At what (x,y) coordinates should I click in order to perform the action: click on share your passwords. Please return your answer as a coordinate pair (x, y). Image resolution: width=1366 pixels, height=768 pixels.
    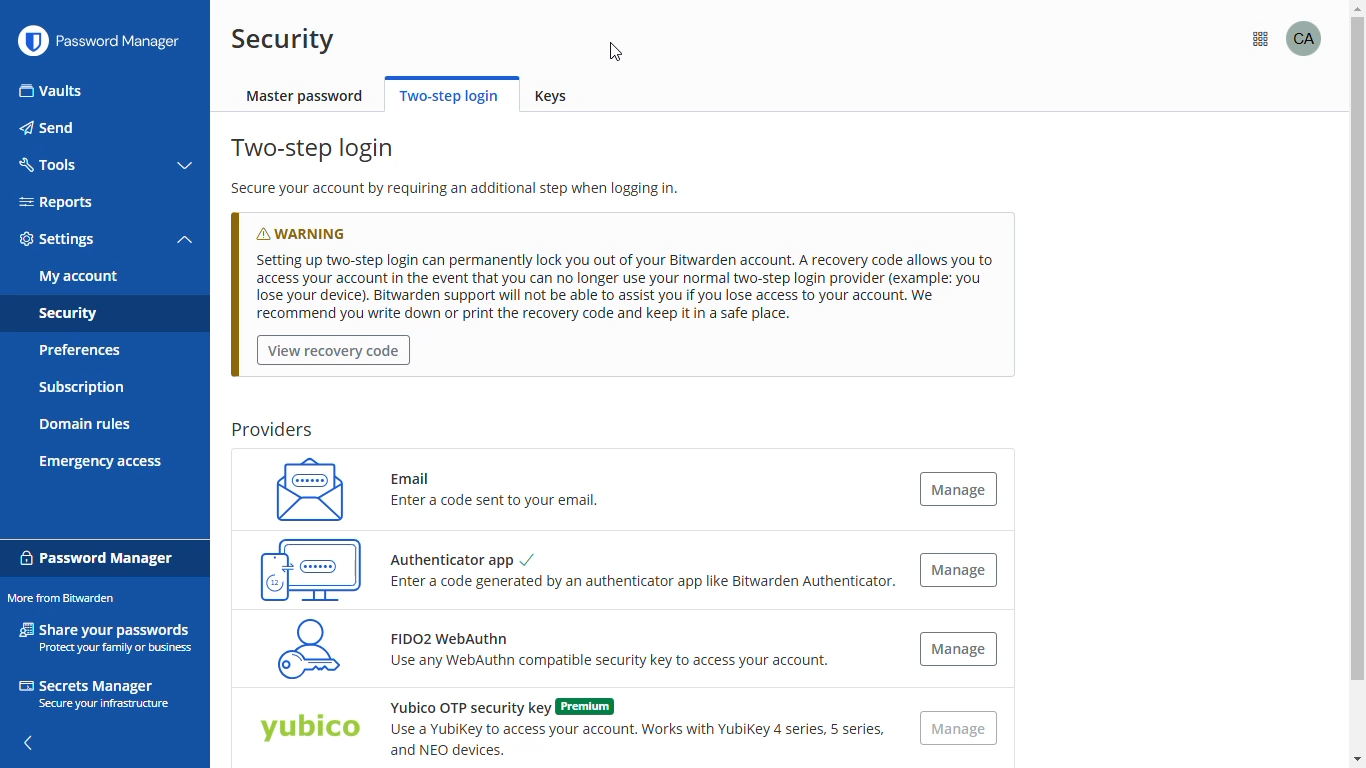
    Looking at the image, I should click on (108, 636).